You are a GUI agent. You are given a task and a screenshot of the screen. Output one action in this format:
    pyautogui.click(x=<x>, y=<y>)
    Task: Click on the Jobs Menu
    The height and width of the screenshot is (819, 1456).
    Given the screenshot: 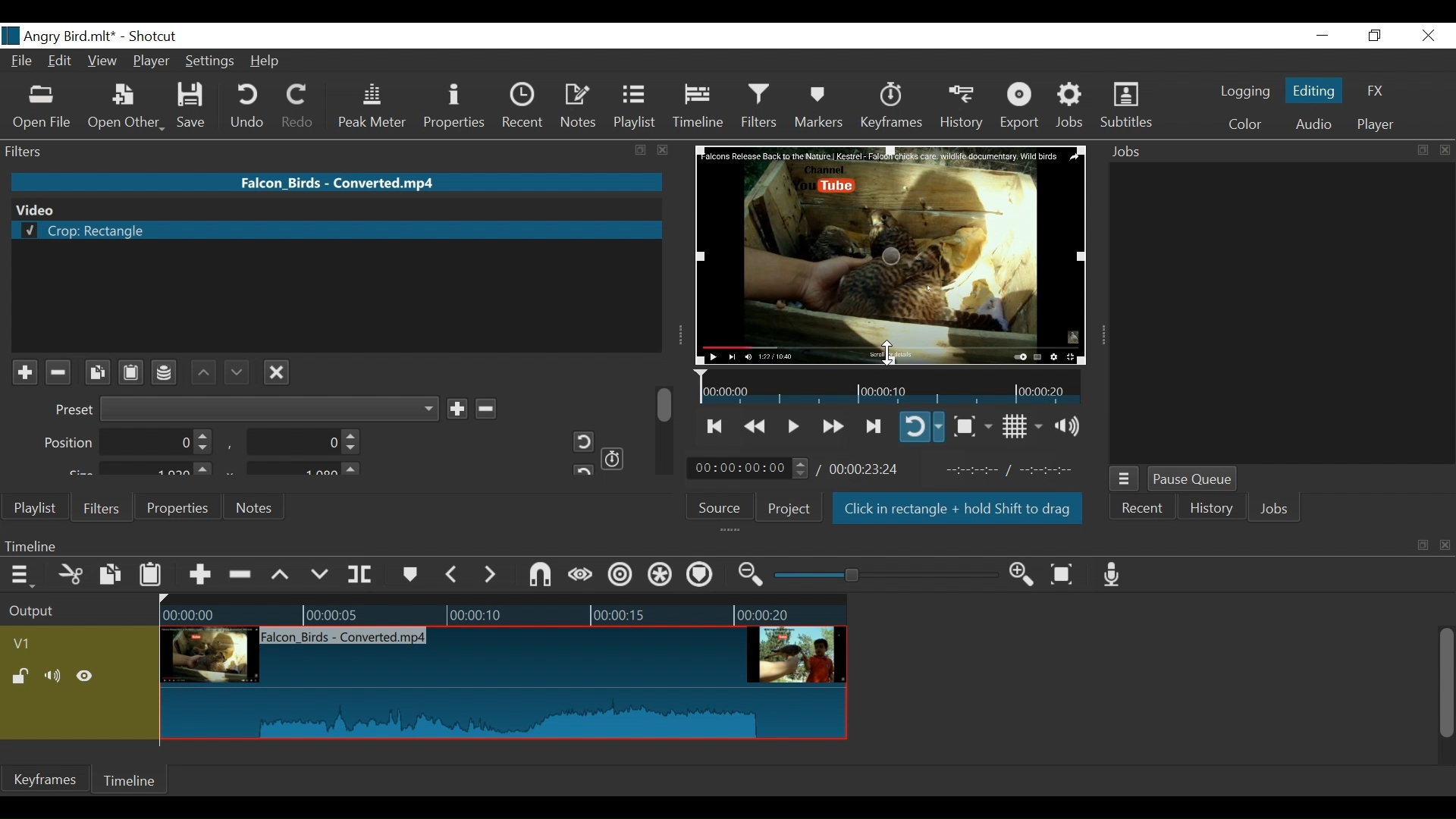 What is the action you would take?
    pyautogui.click(x=1122, y=480)
    